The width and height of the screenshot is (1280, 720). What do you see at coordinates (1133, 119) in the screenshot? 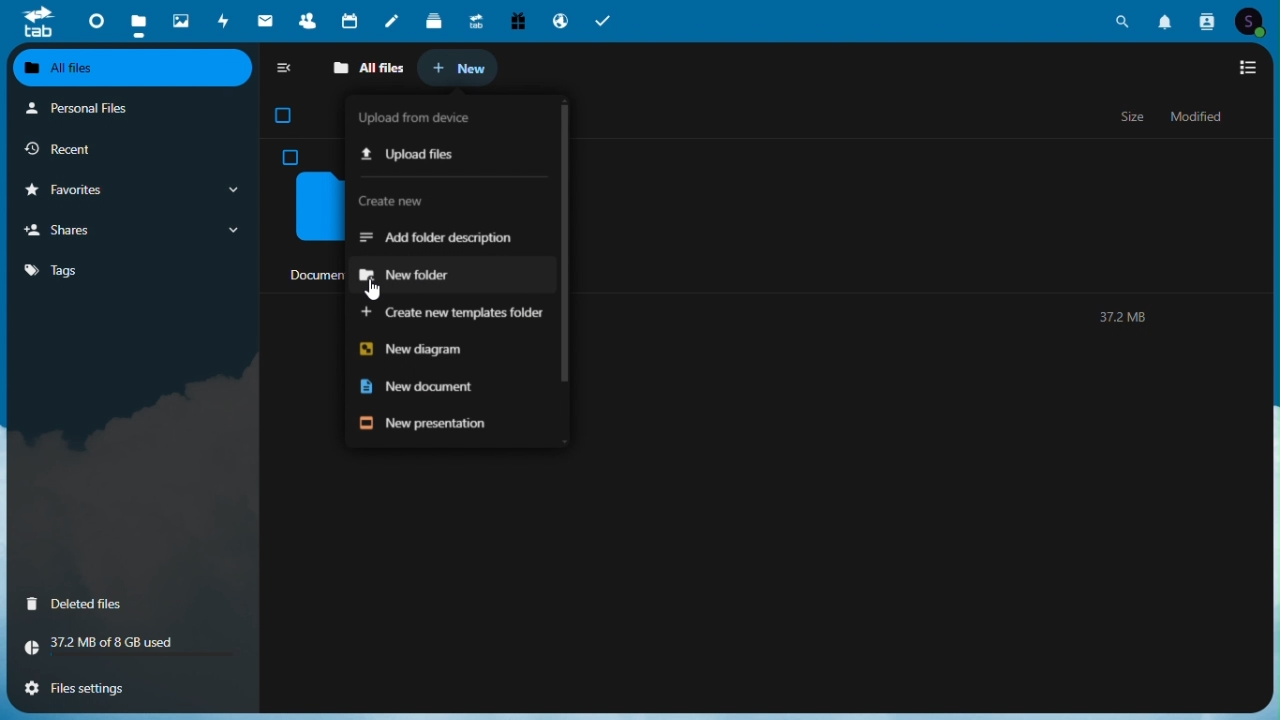
I see `Size` at bounding box center [1133, 119].